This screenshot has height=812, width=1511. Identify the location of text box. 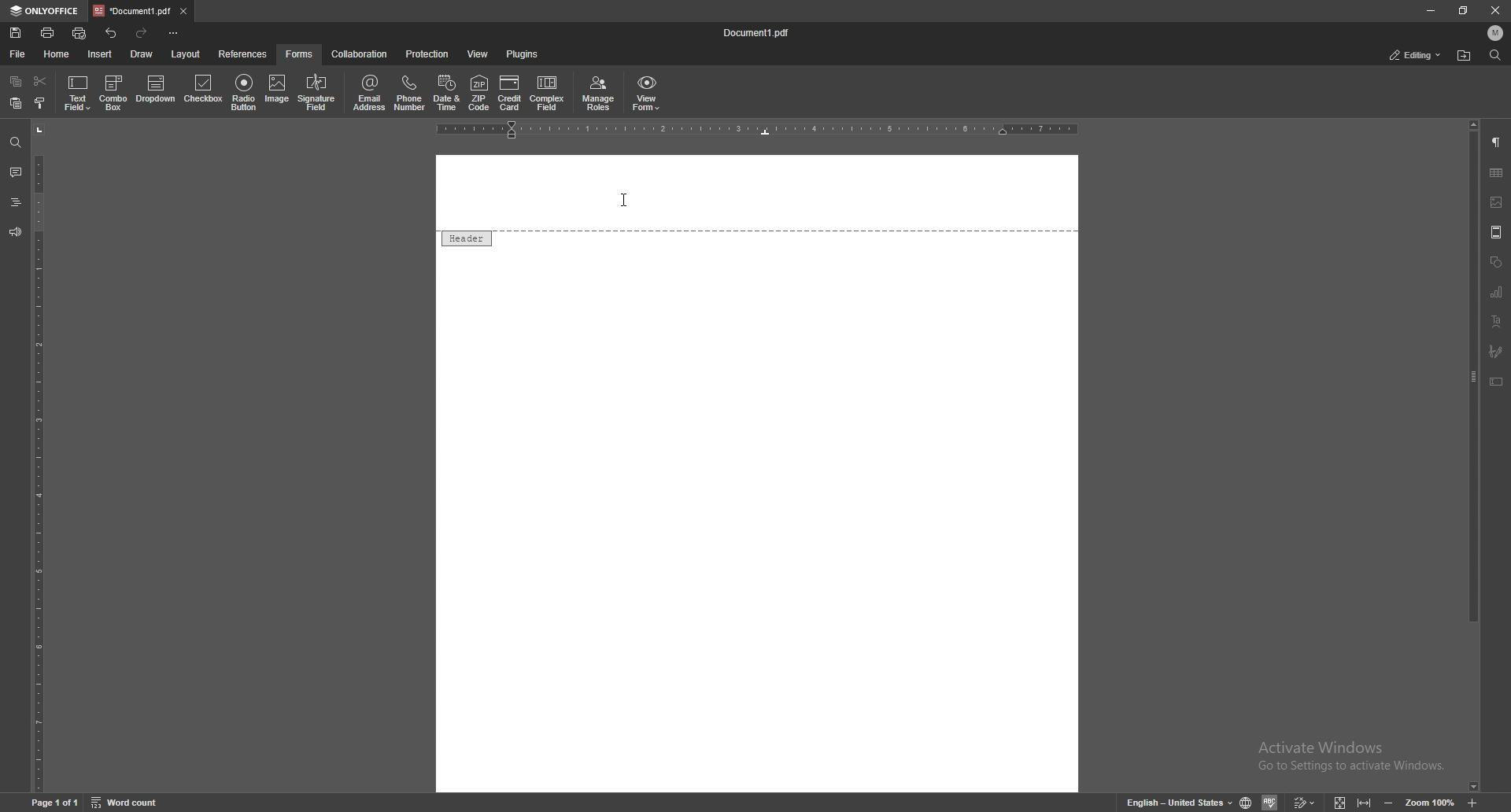
(1497, 382).